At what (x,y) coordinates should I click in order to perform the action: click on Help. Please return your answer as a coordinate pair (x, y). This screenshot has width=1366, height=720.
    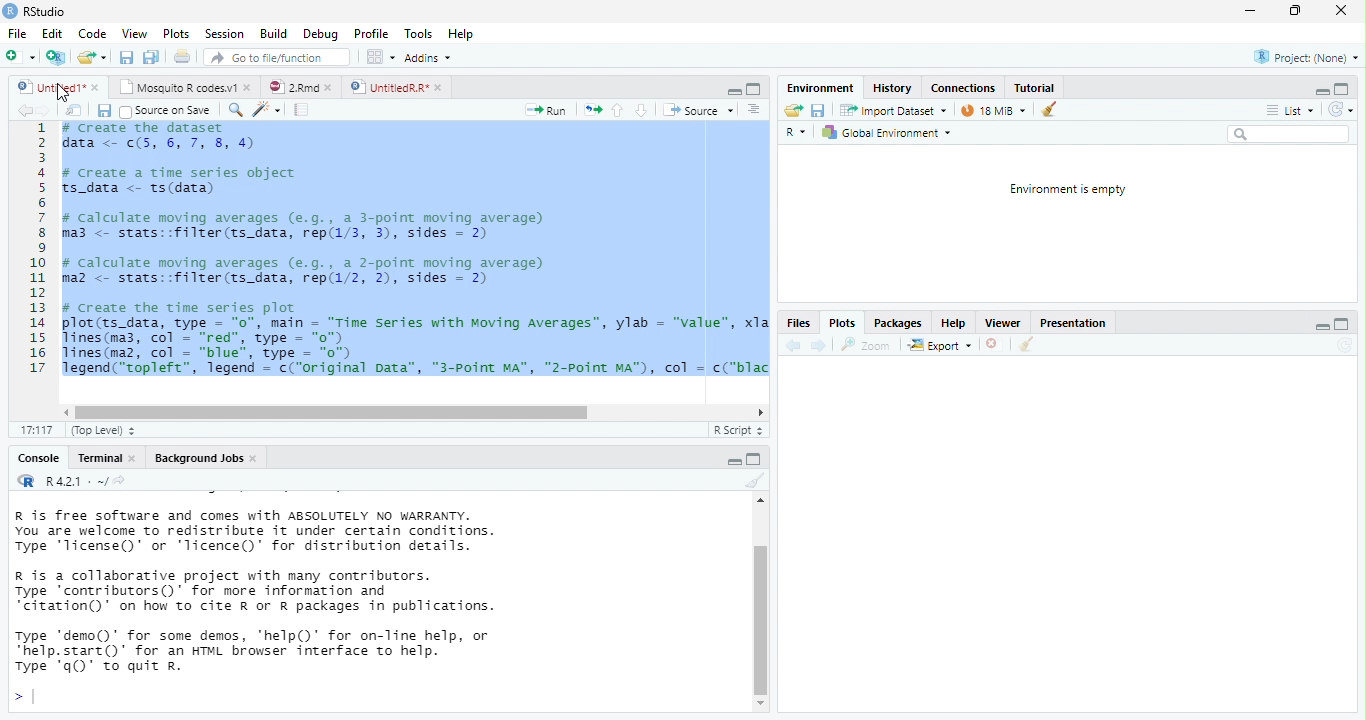
    Looking at the image, I should click on (951, 323).